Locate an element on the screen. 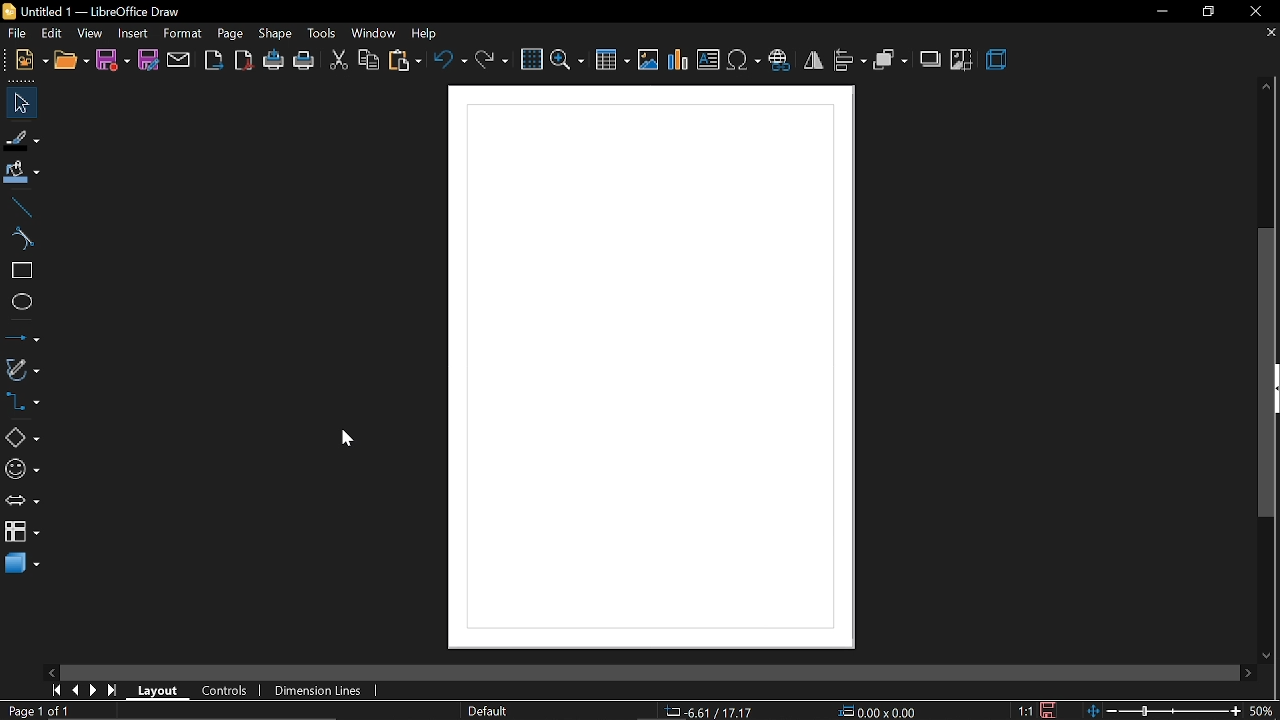 Image resolution: width=1280 pixels, height=720 pixels. insert is located at coordinates (130, 33).